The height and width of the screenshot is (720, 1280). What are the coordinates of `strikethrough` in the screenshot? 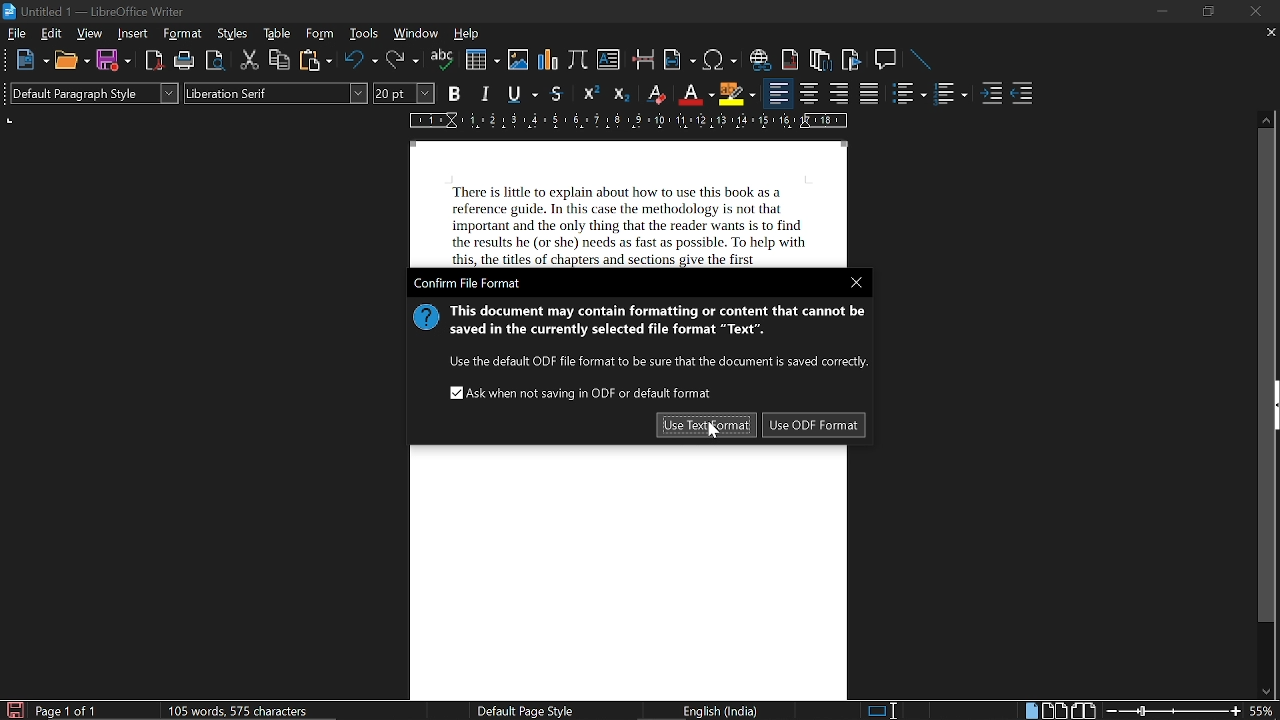 It's located at (556, 94).